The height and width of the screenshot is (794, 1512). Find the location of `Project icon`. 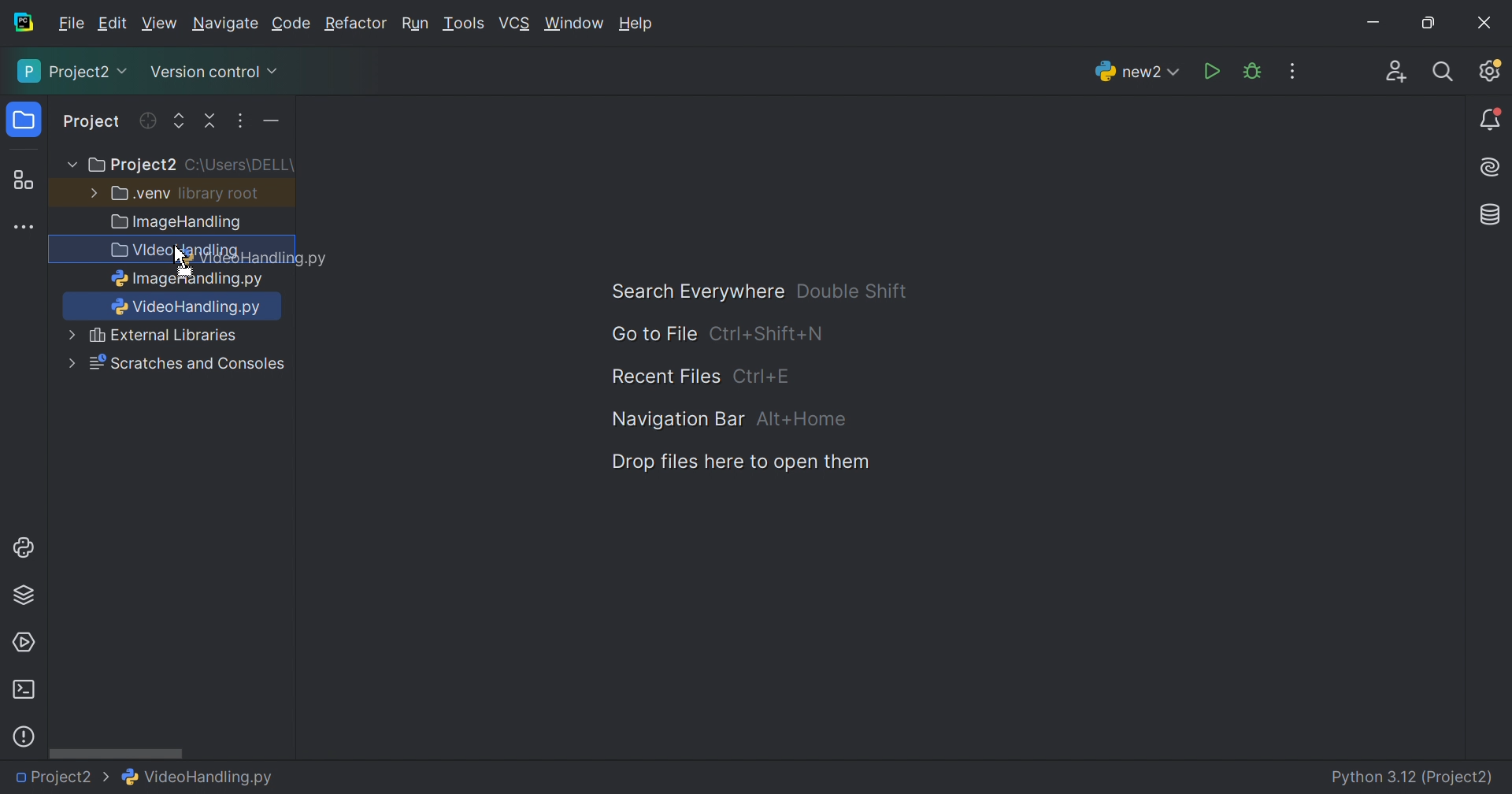

Project icon is located at coordinates (26, 121).